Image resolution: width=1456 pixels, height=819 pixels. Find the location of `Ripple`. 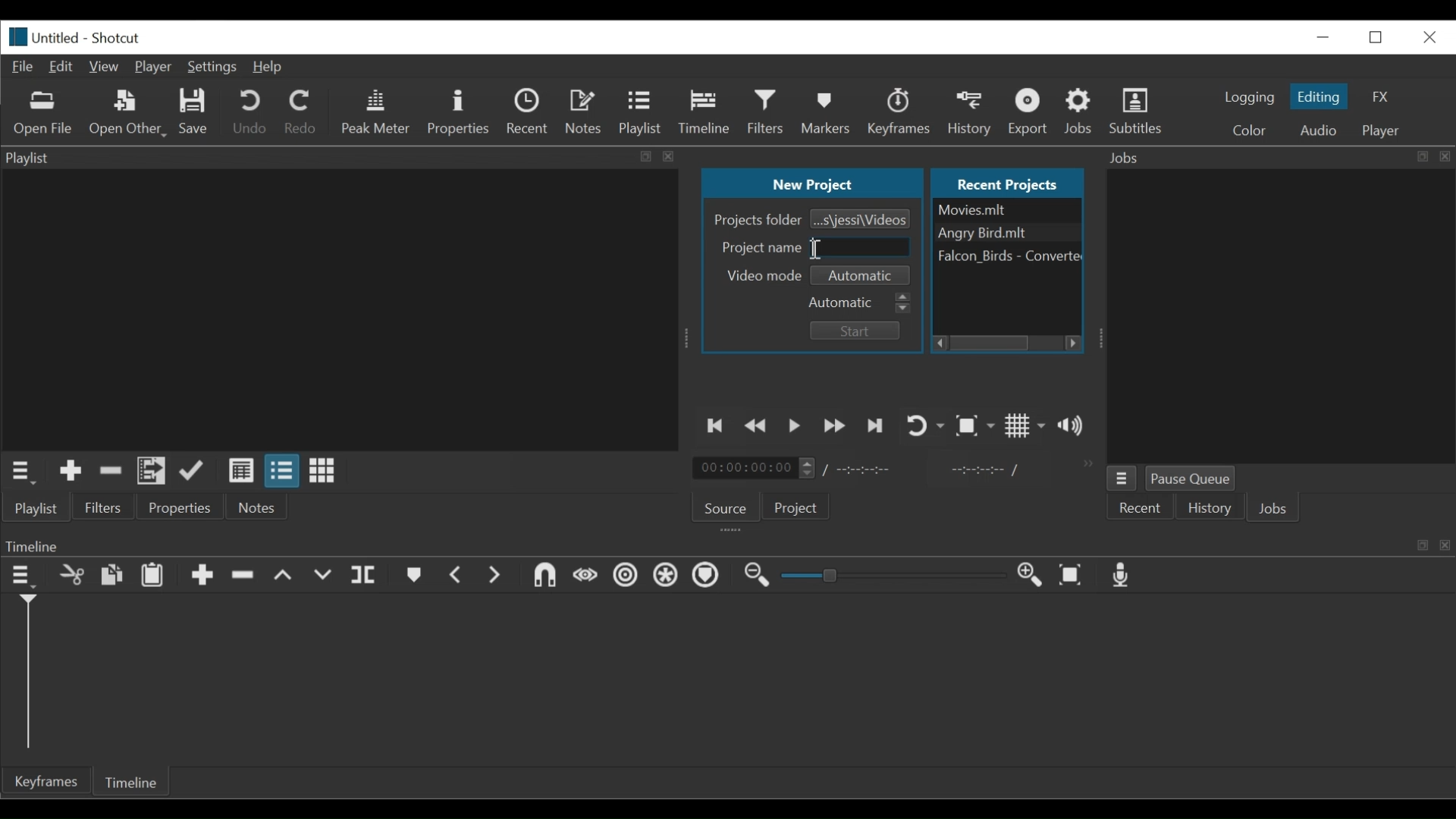

Ripple is located at coordinates (624, 576).